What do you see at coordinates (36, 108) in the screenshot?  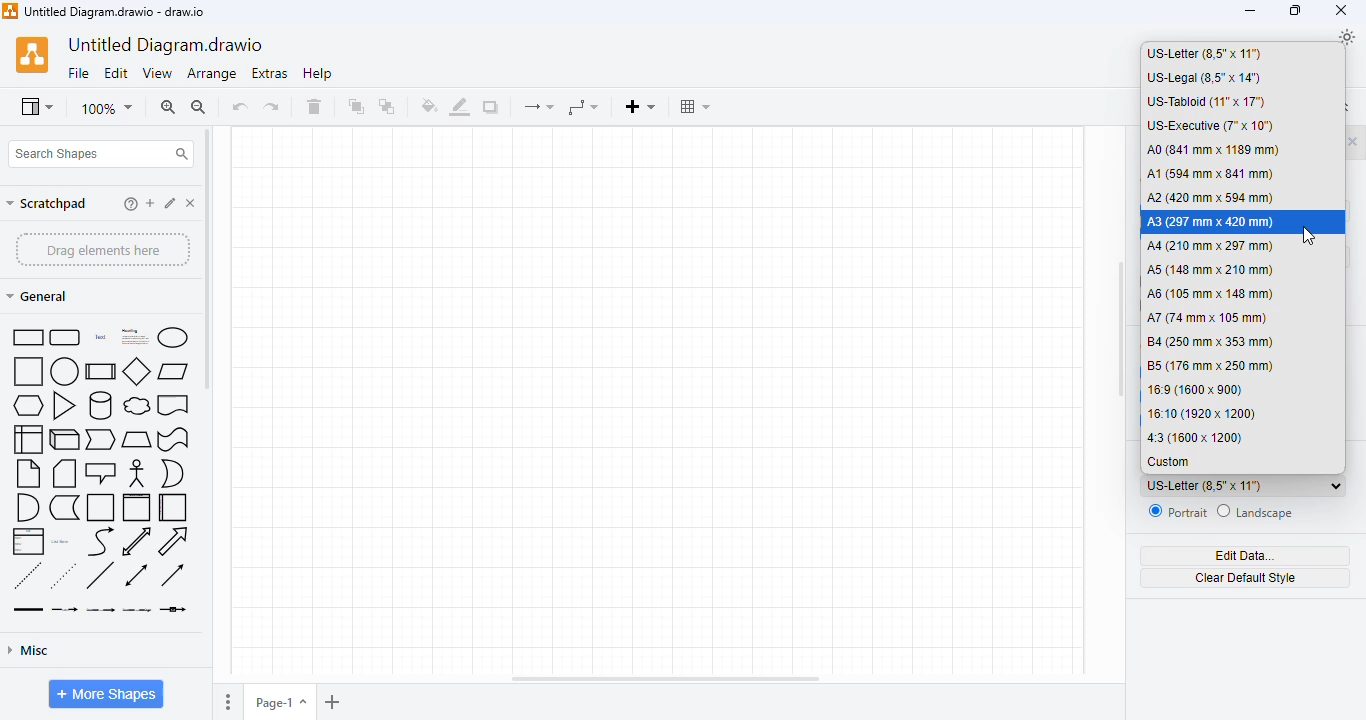 I see `view` at bounding box center [36, 108].